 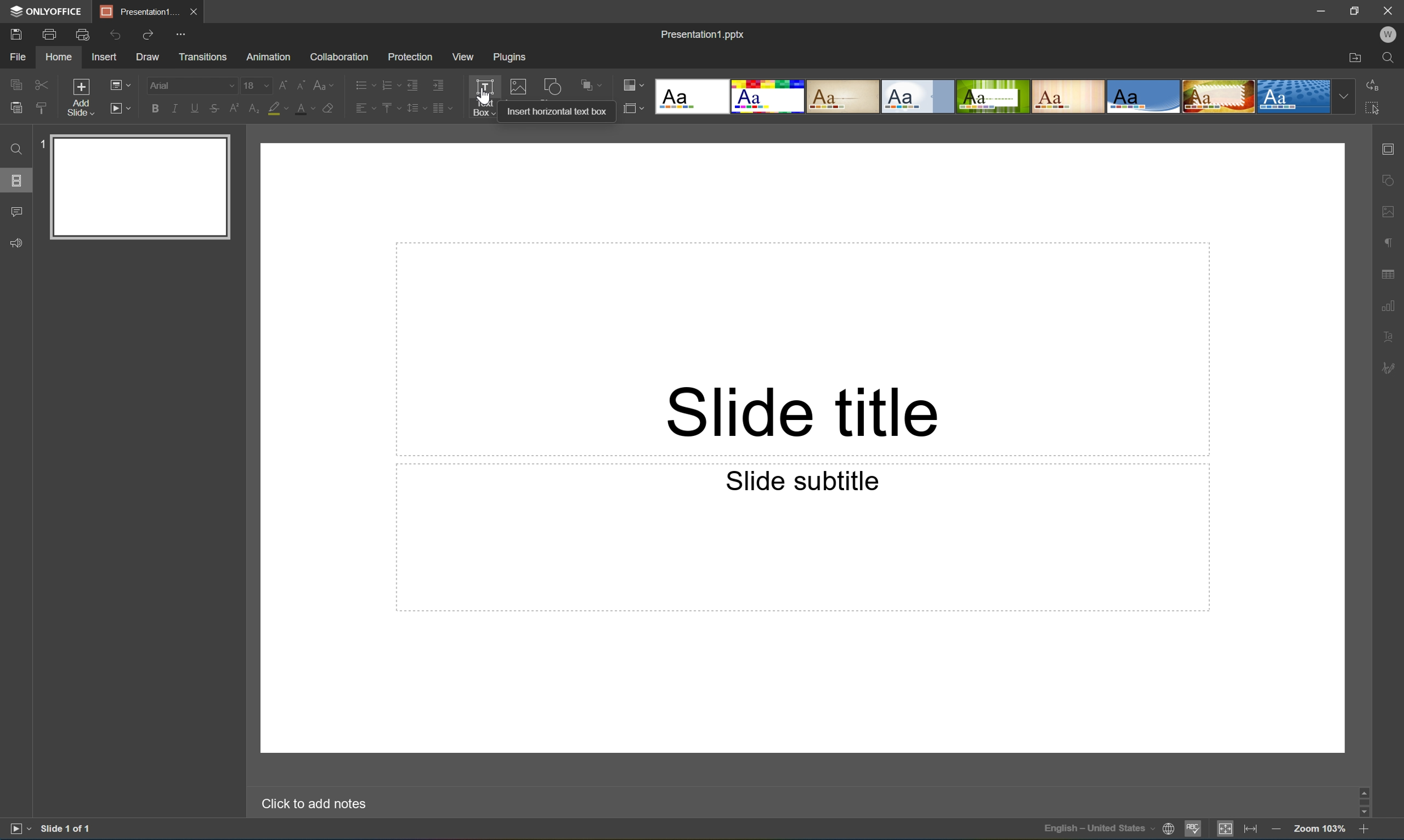 What do you see at coordinates (13, 108) in the screenshot?
I see `Paste` at bounding box center [13, 108].